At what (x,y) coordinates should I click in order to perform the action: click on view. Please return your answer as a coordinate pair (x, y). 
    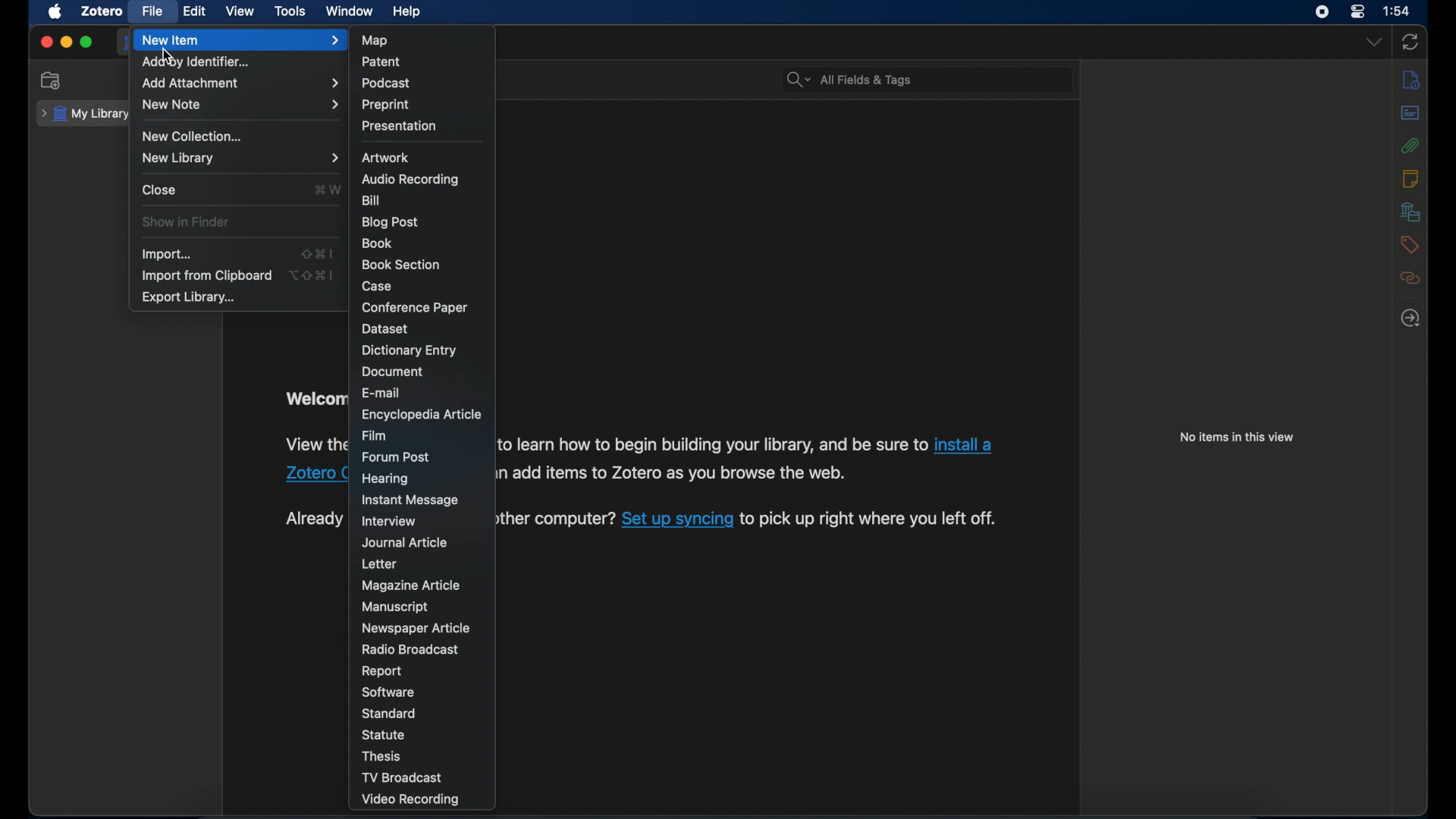
    Looking at the image, I should click on (241, 11).